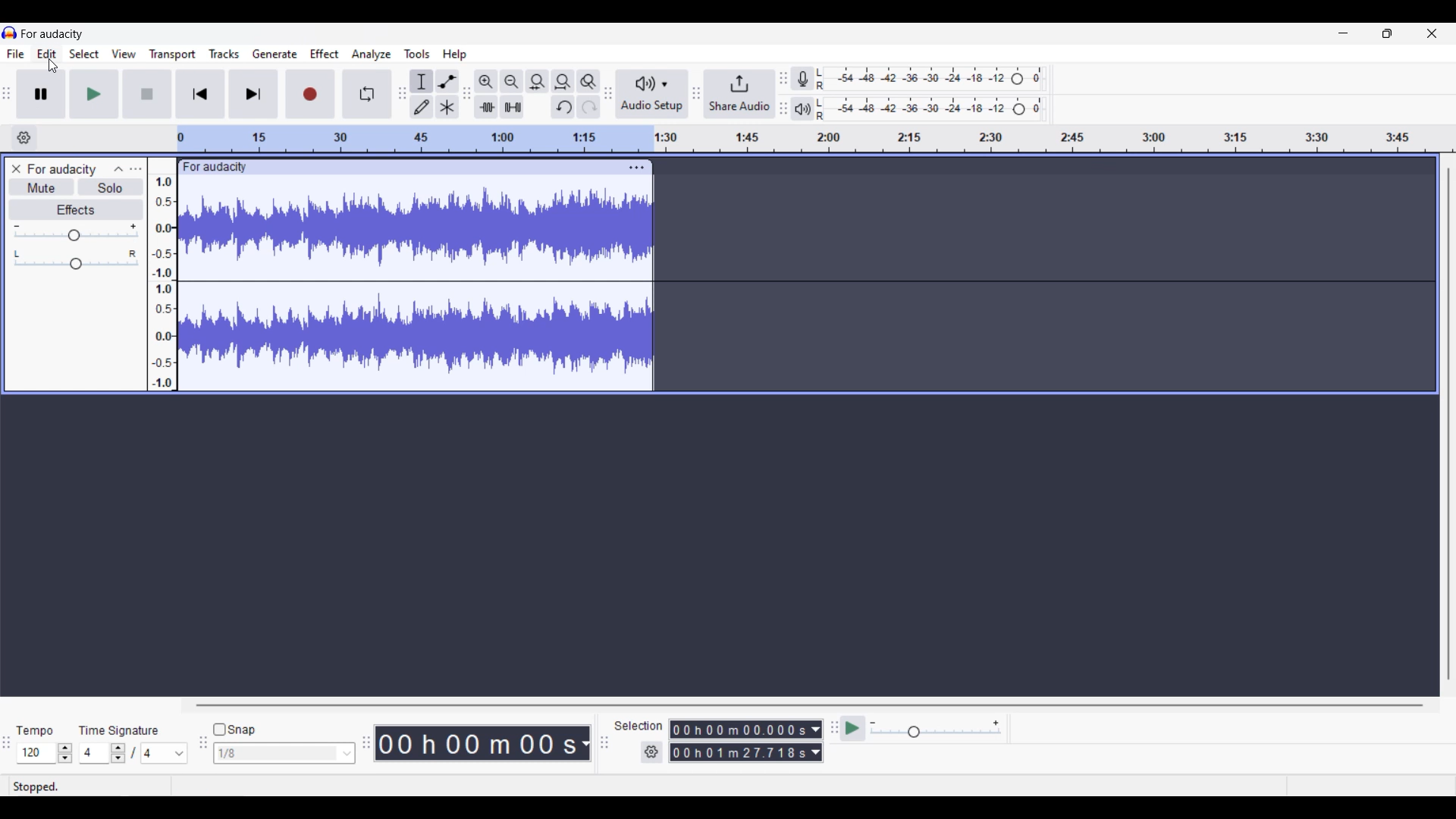  Describe the element at coordinates (172, 55) in the screenshot. I see `Transport menu` at that location.